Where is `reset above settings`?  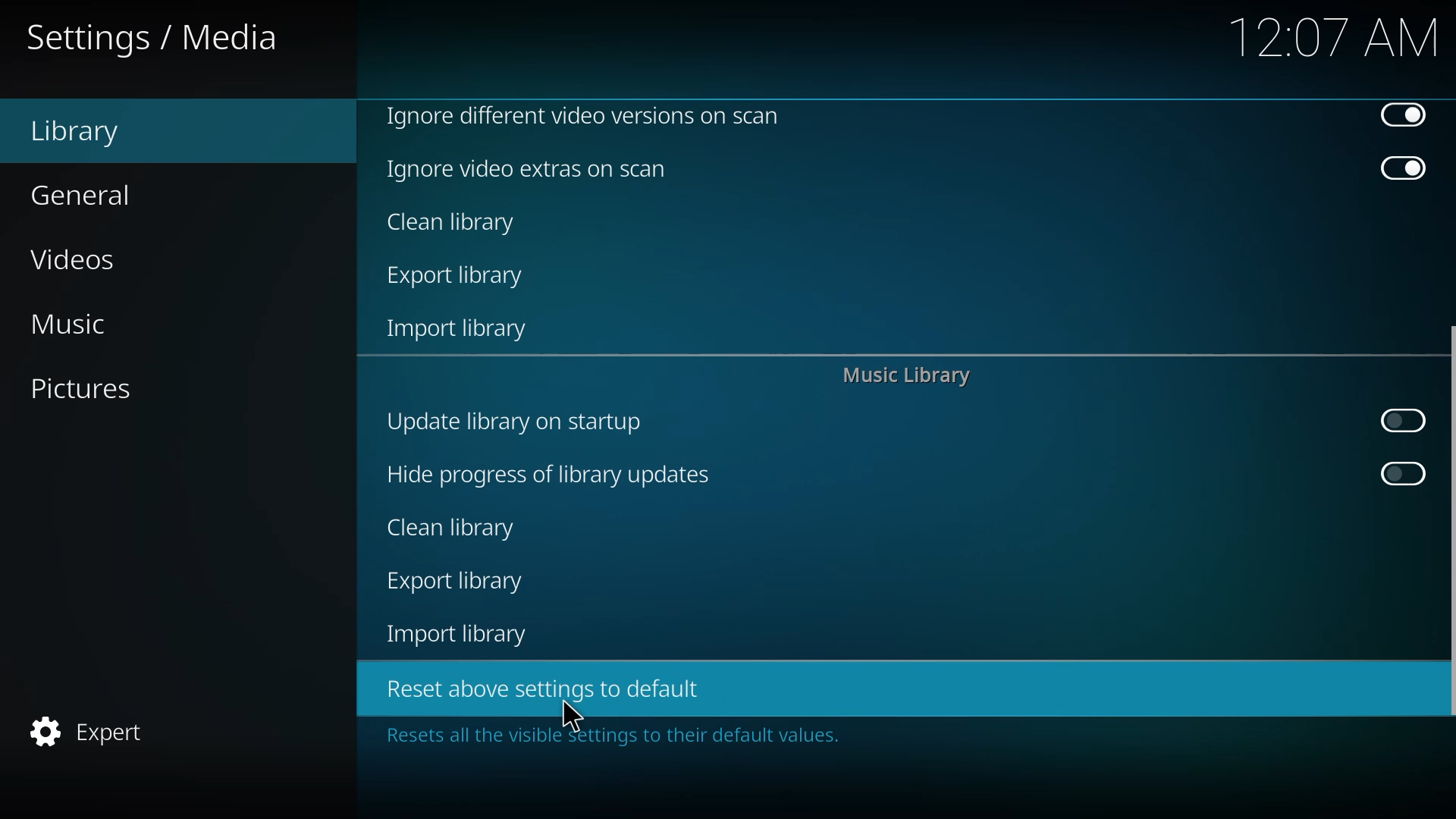
reset above settings is located at coordinates (538, 687).